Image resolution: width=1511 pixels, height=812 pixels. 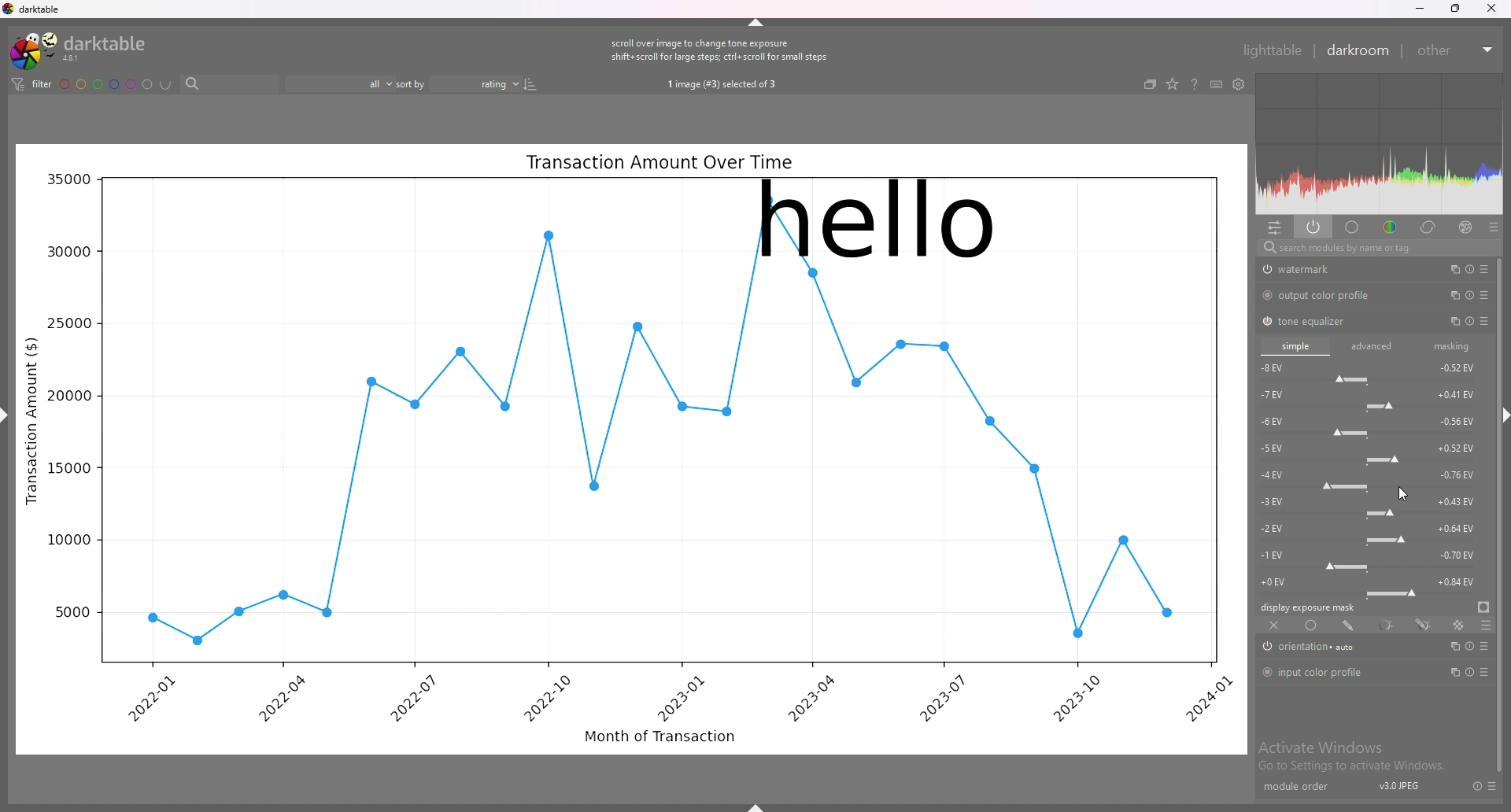 I want to click on Activate Windows, so click(x=1321, y=747).